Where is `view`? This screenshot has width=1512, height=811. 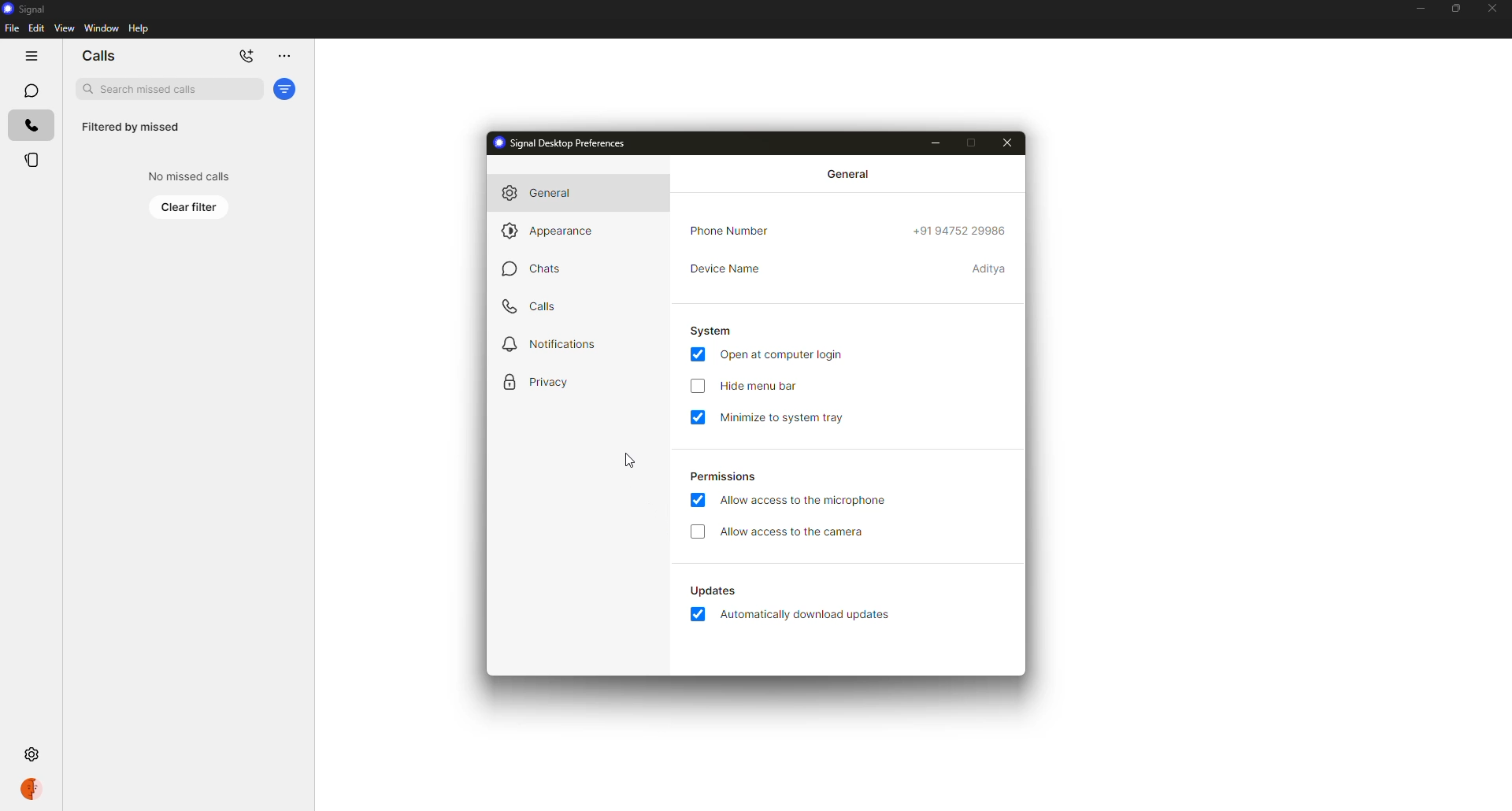
view is located at coordinates (64, 28).